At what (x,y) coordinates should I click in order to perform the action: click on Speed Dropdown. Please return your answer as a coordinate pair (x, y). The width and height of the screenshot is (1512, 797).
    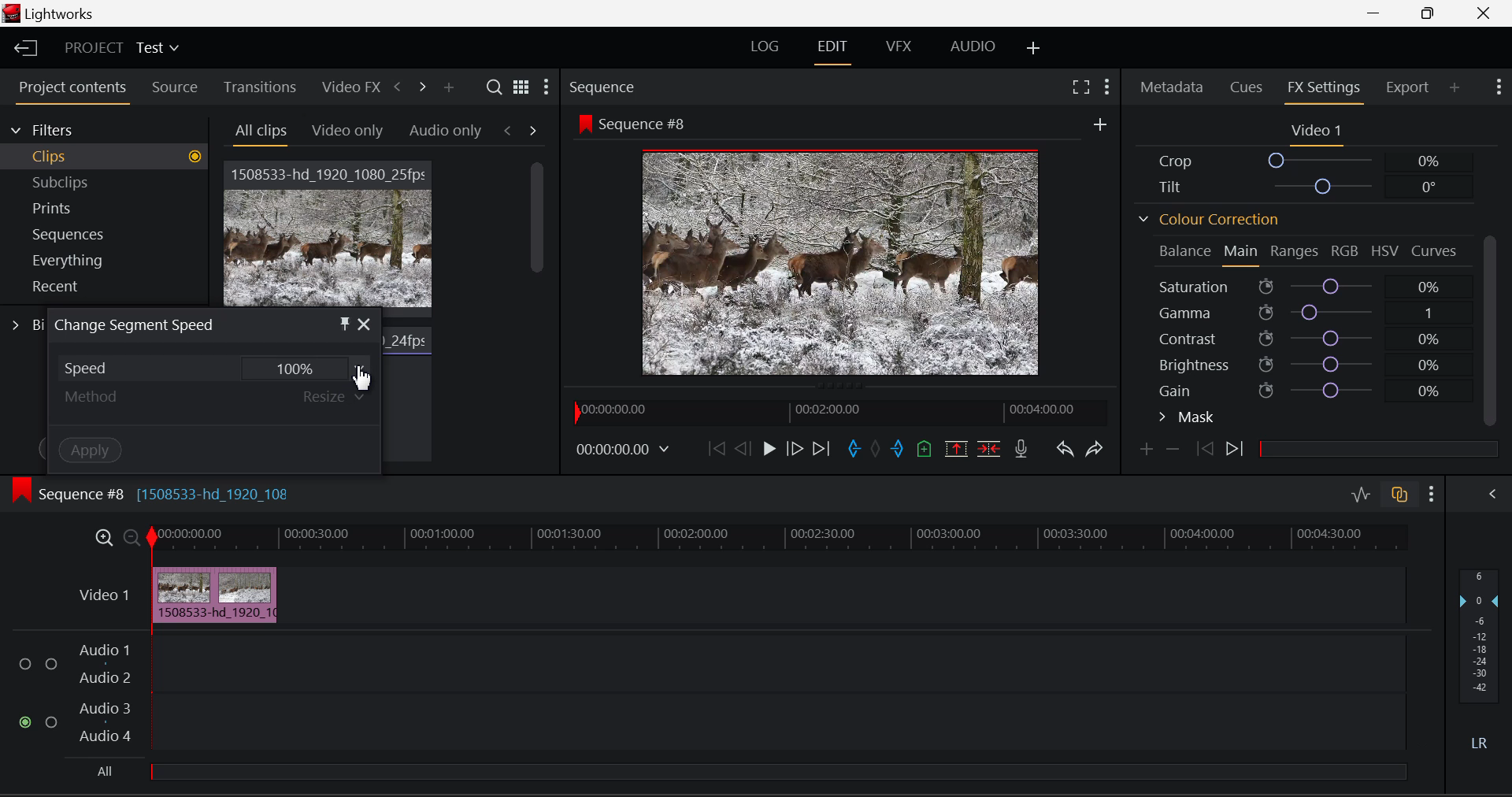
    Looking at the image, I should click on (94, 367).